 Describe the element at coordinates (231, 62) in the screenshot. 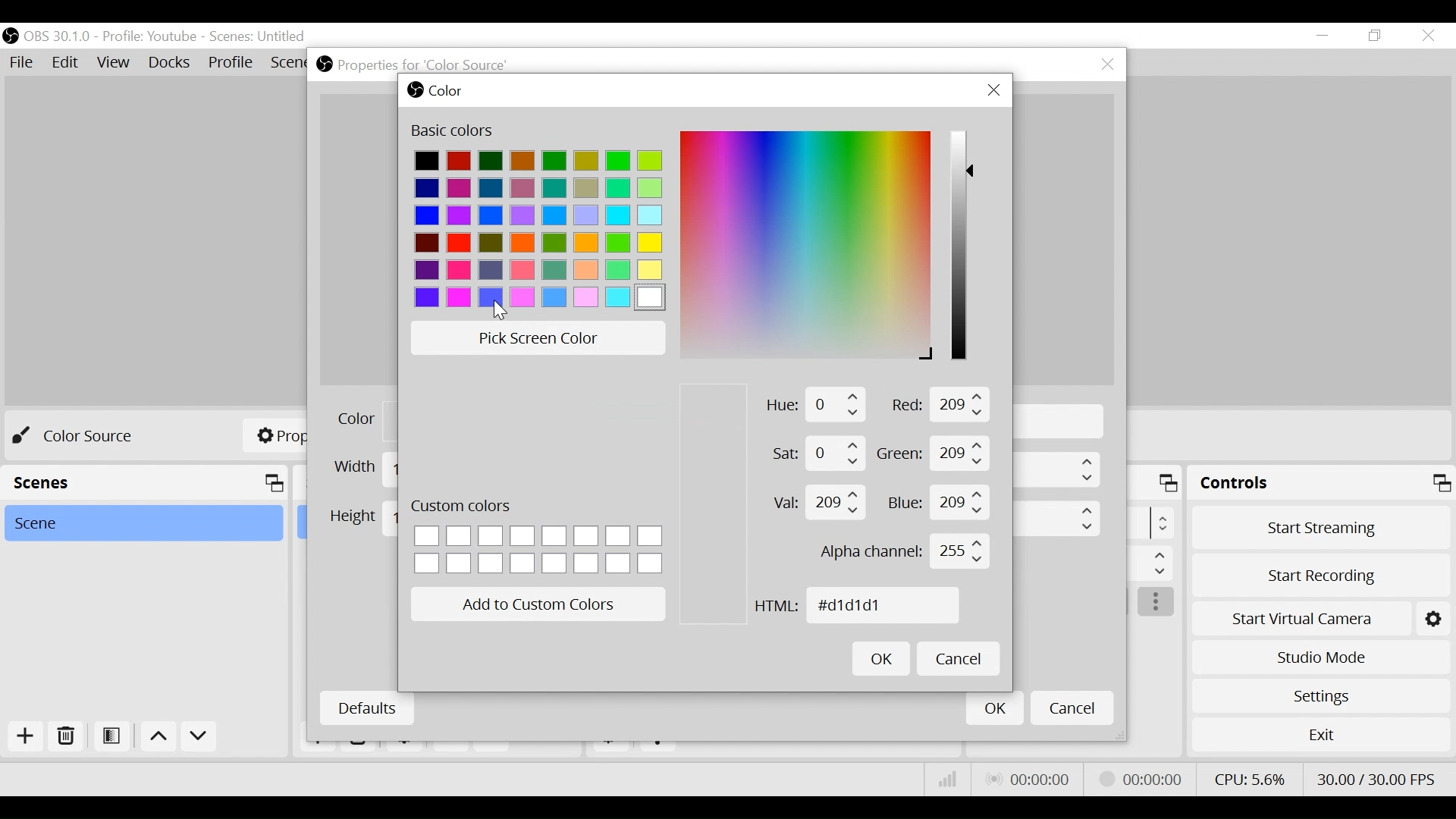

I see `Profile` at that location.